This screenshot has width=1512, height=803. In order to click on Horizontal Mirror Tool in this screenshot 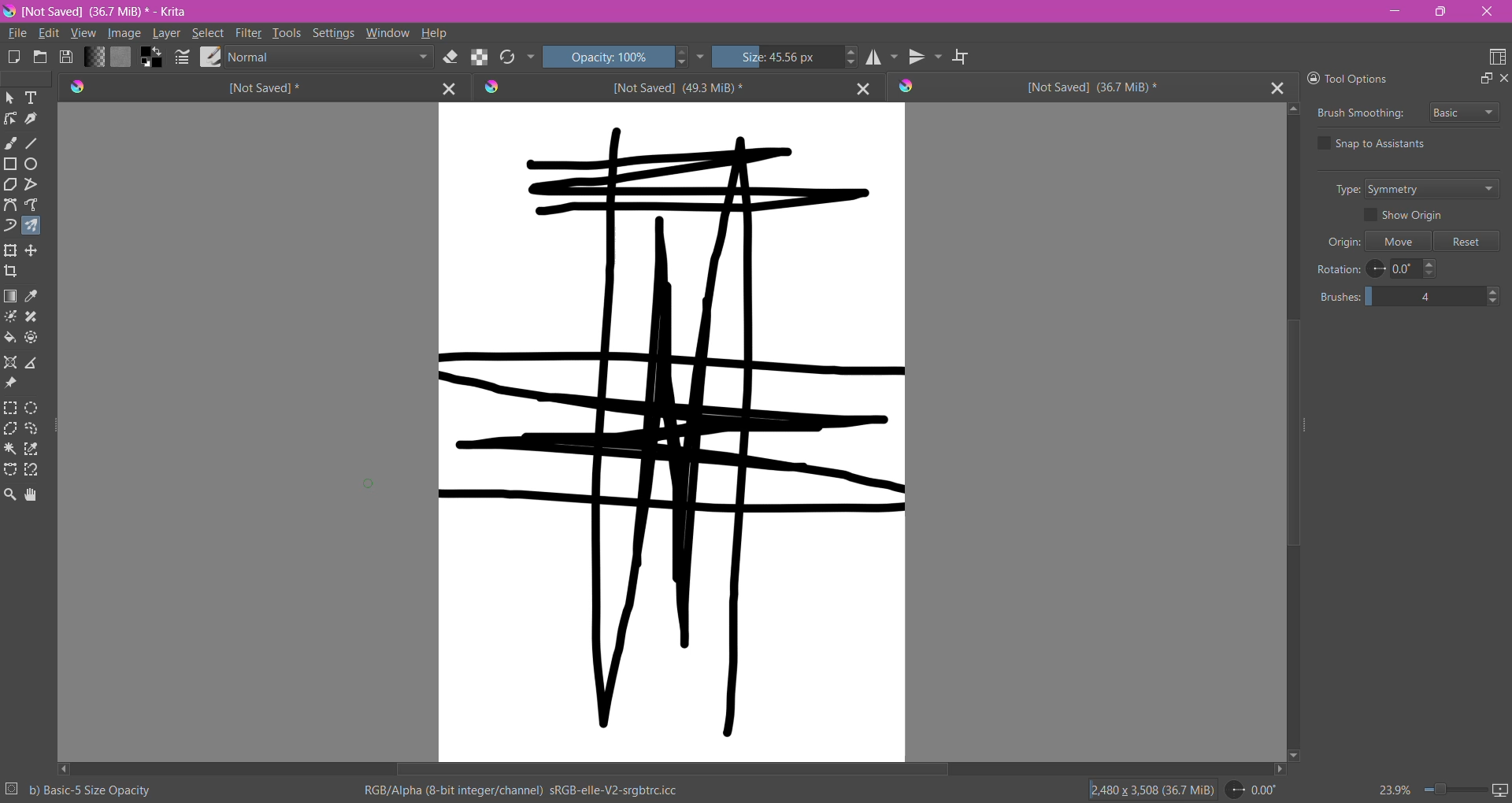, I will do `click(881, 57)`.